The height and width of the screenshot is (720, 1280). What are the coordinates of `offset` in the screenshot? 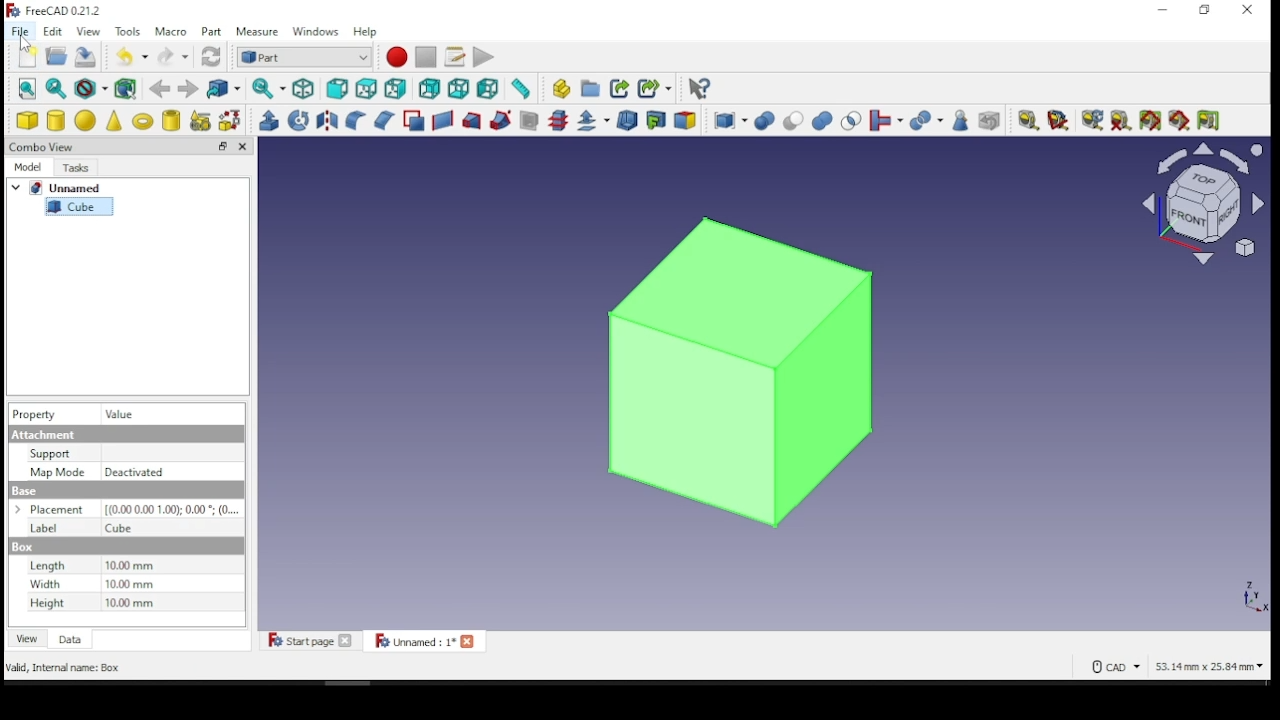 It's located at (594, 120).